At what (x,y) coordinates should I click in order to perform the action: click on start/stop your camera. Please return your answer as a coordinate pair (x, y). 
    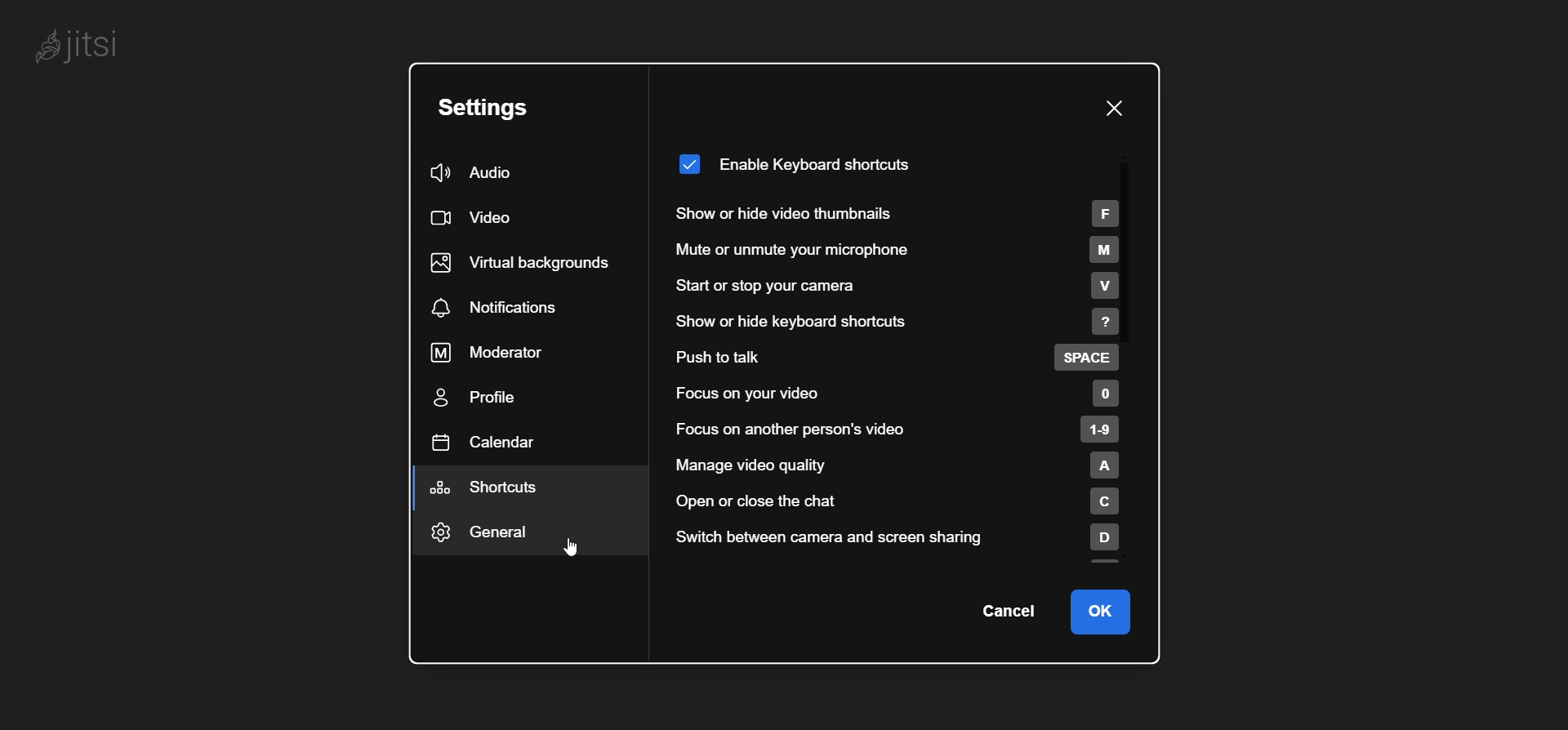
    Looking at the image, I should click on (891, 287).